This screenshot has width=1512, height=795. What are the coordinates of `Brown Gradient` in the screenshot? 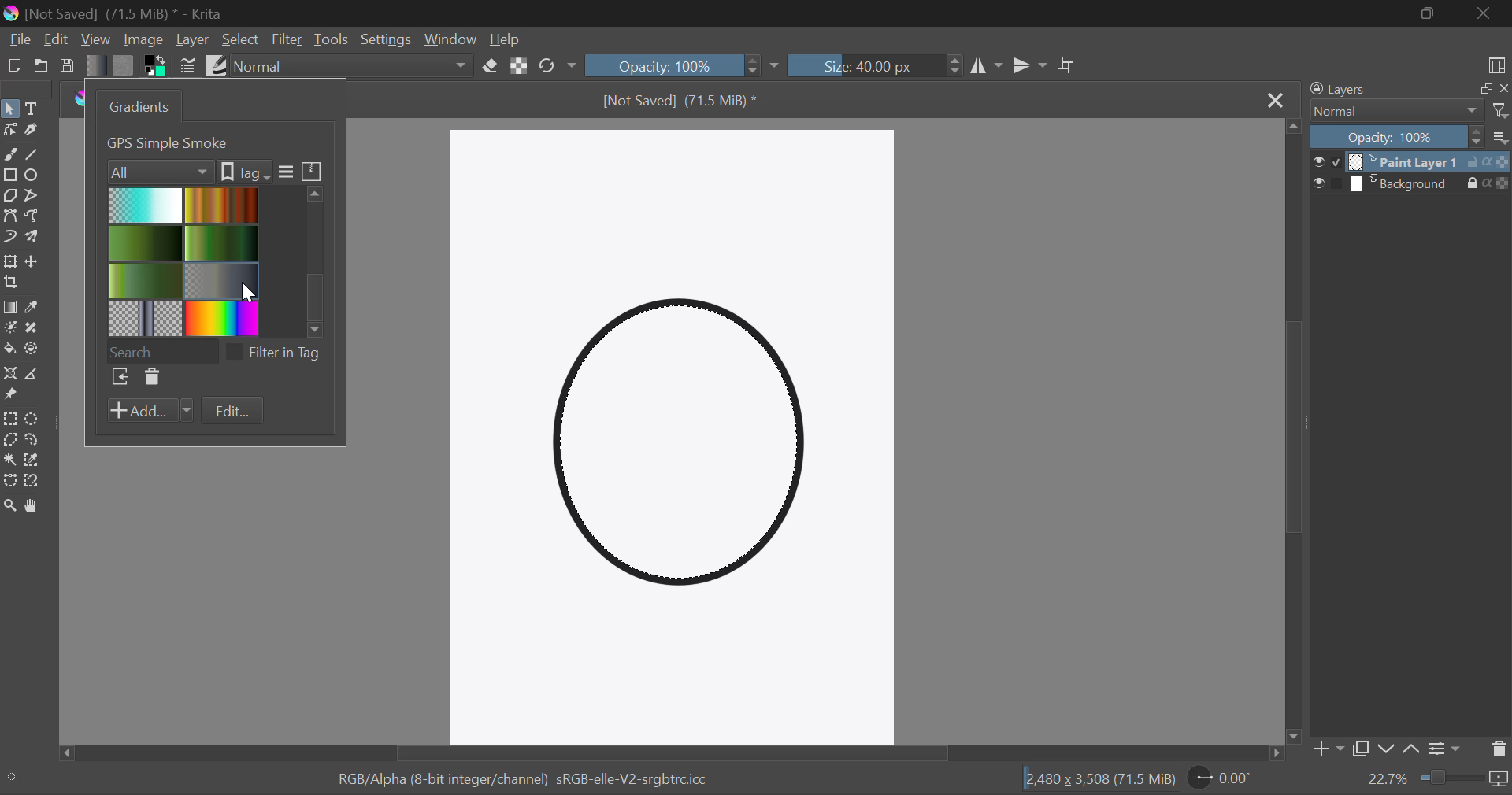 It's located at (223, 205).